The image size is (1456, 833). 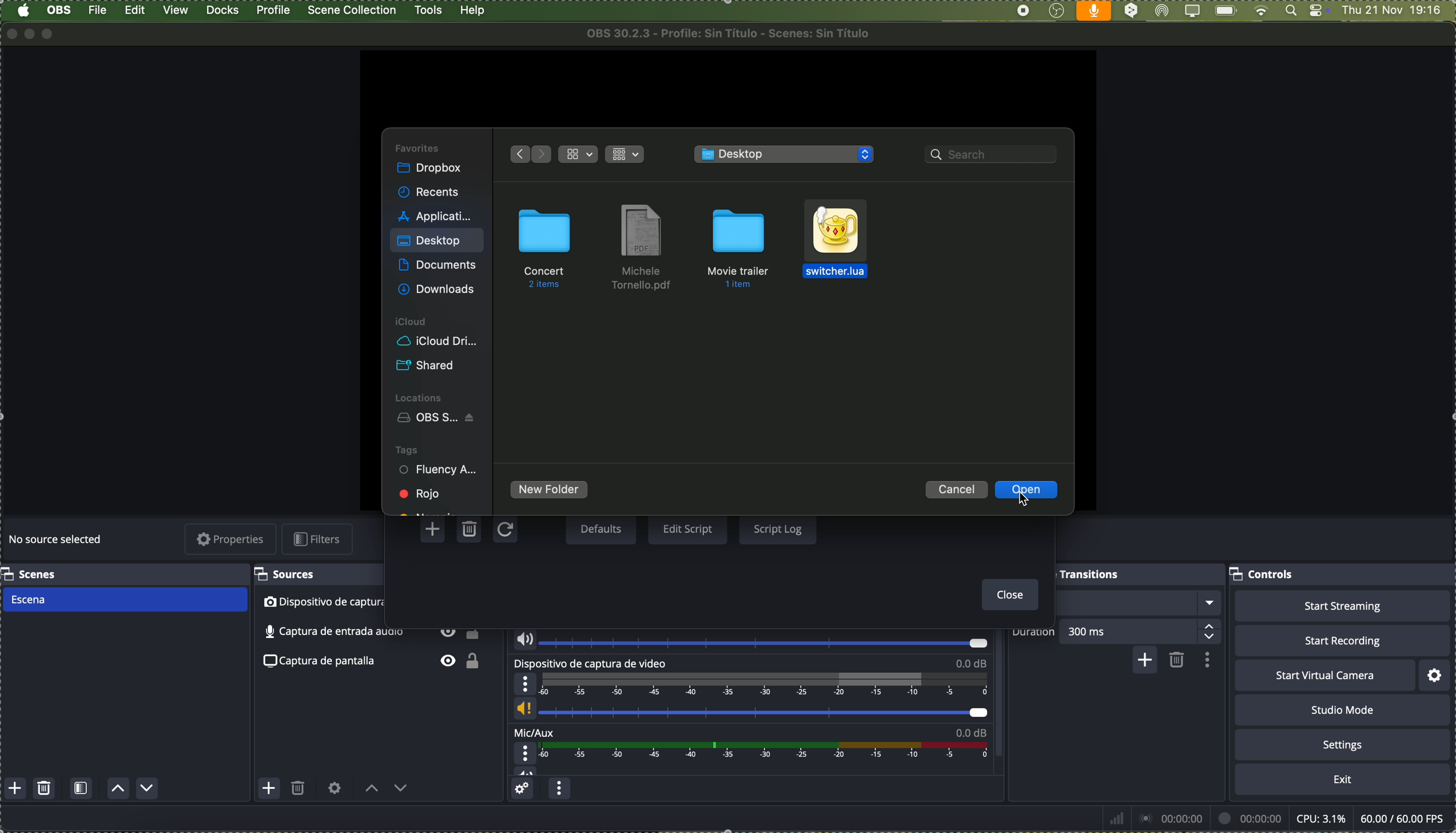 I want to click on edit, so click(x=135, y=11).